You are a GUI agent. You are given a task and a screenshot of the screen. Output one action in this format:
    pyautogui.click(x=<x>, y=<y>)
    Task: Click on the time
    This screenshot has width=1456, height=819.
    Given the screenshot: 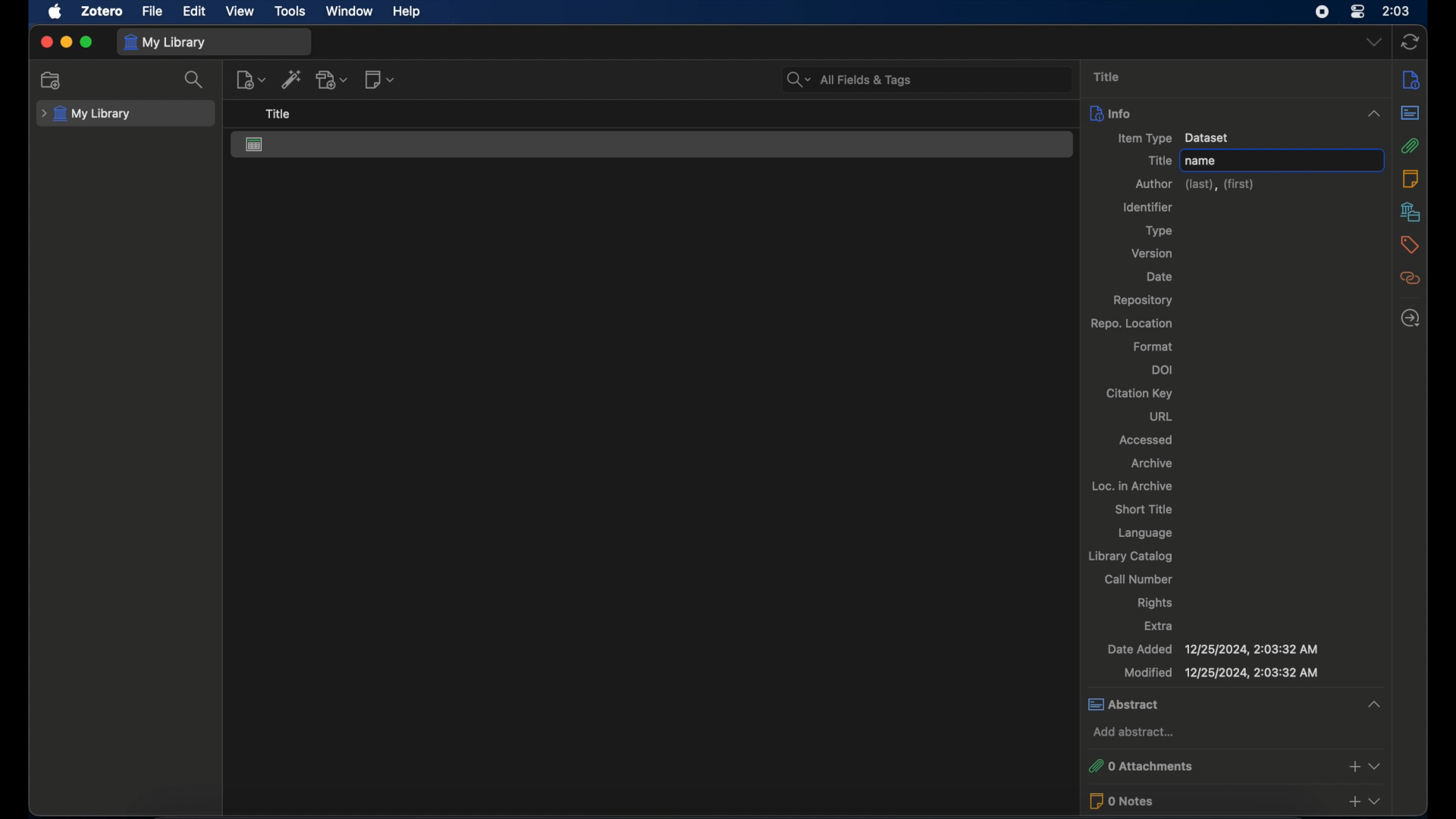 What is the action you would take?
    pyautogui.click(x=1398, y=10)
    